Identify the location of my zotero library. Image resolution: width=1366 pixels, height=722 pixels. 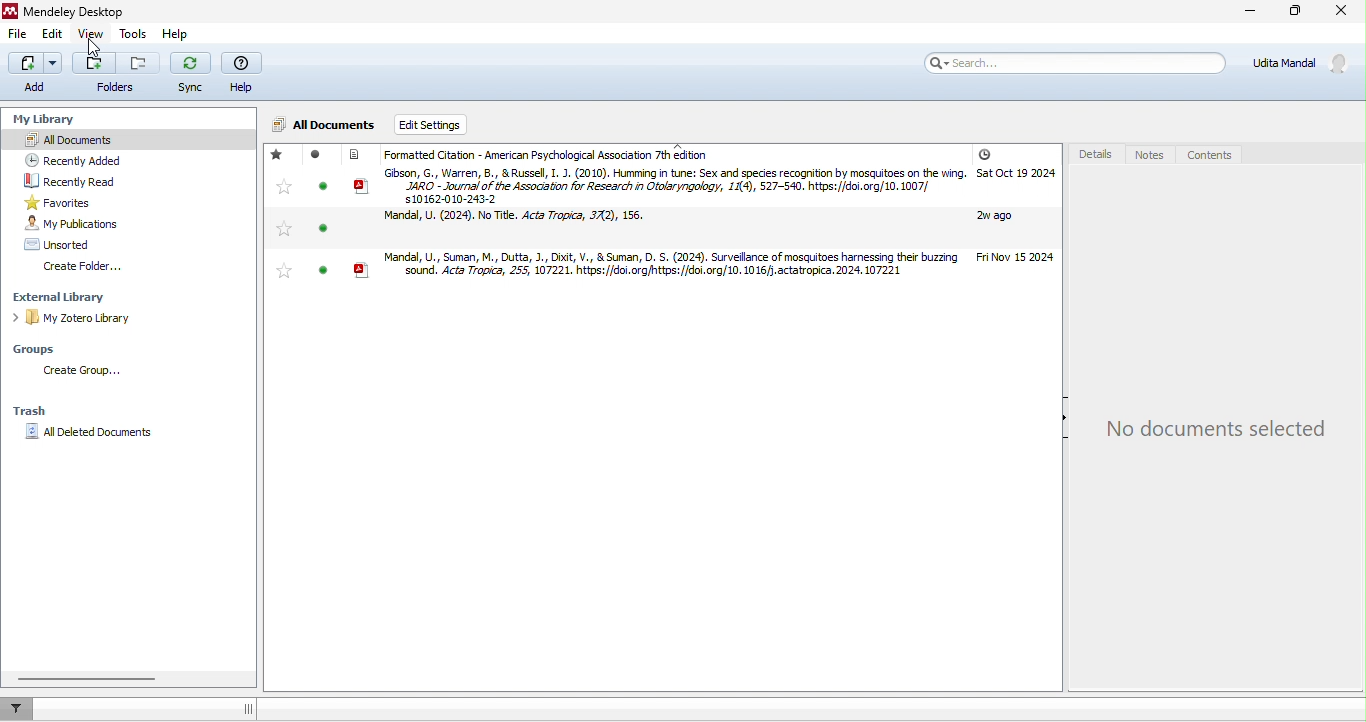
(76, 318).